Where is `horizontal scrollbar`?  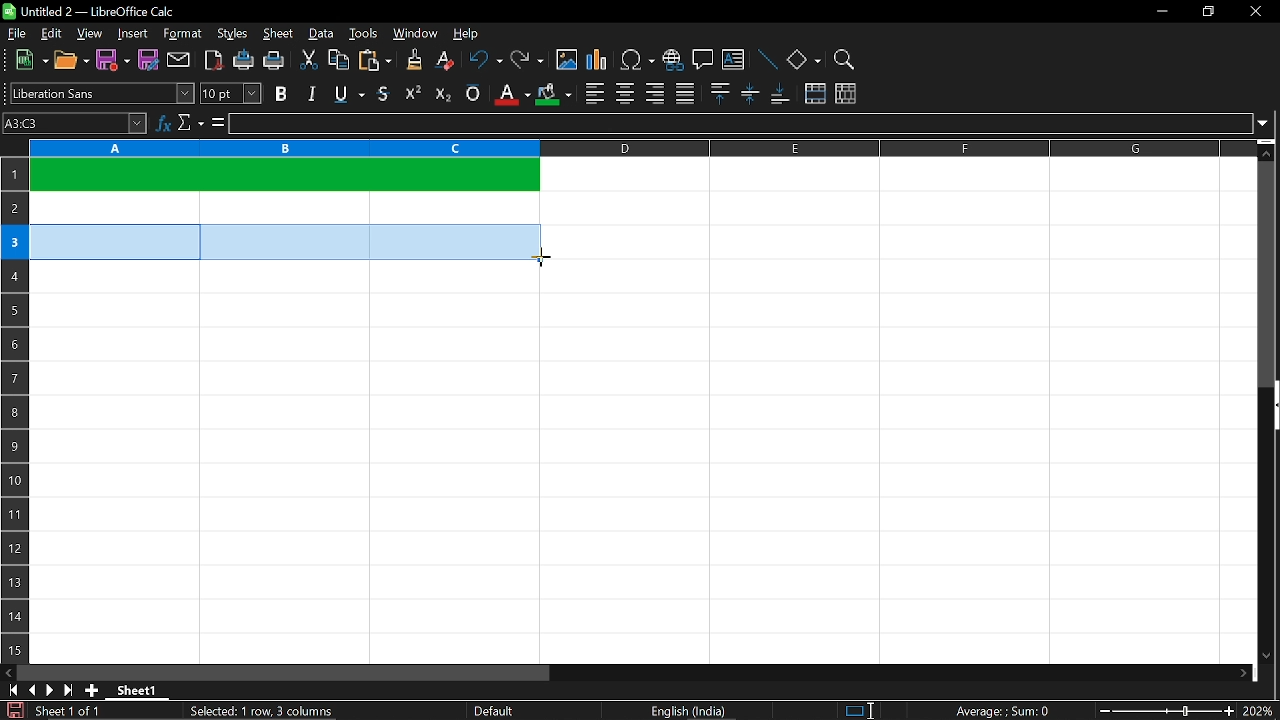
horizontal scrollbar is located at coordinates (284, 673).